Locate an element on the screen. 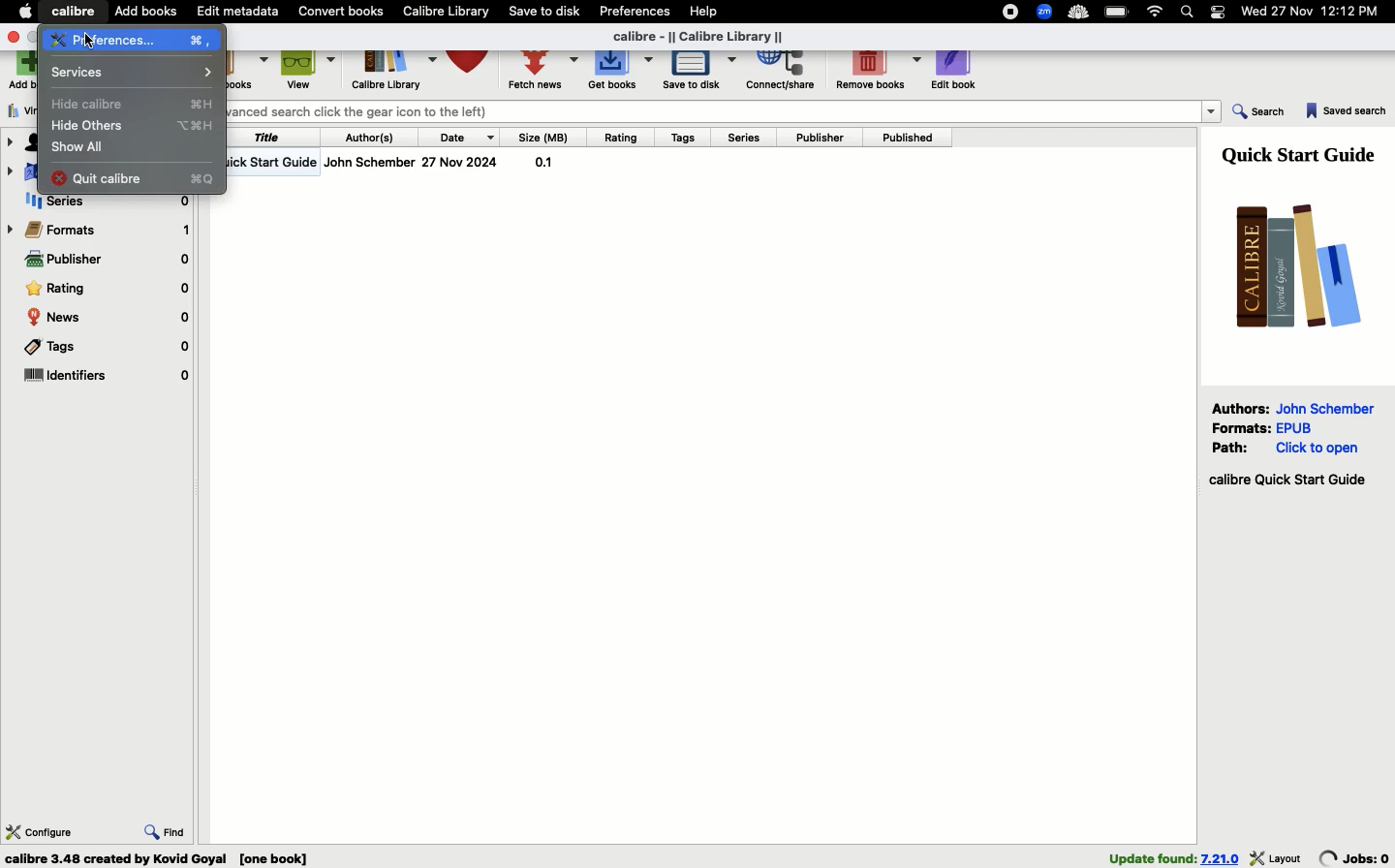 The height and width of the screenshot is (868, 1395). Rating is located at coordinates (618, 138).